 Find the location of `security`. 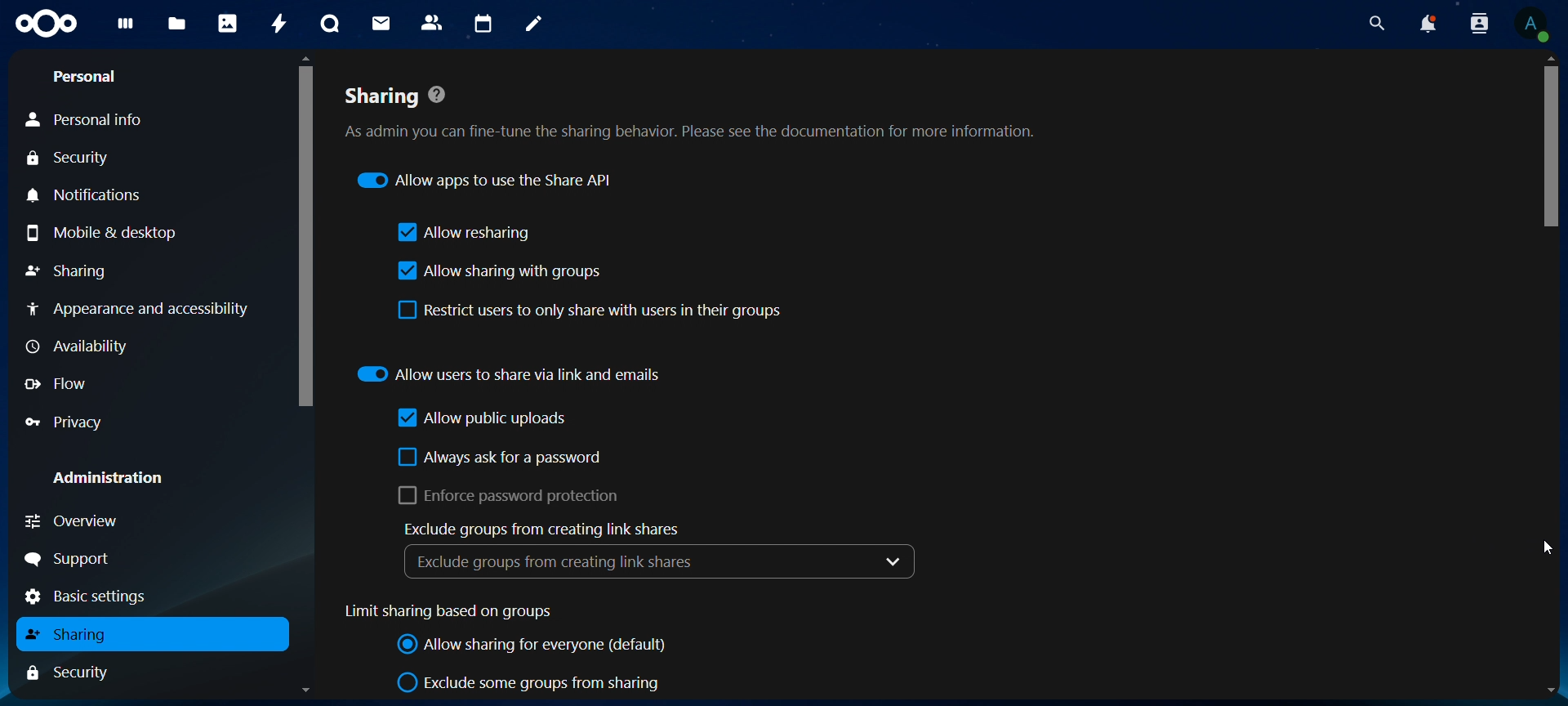

security is located at coordinates (78, 158).